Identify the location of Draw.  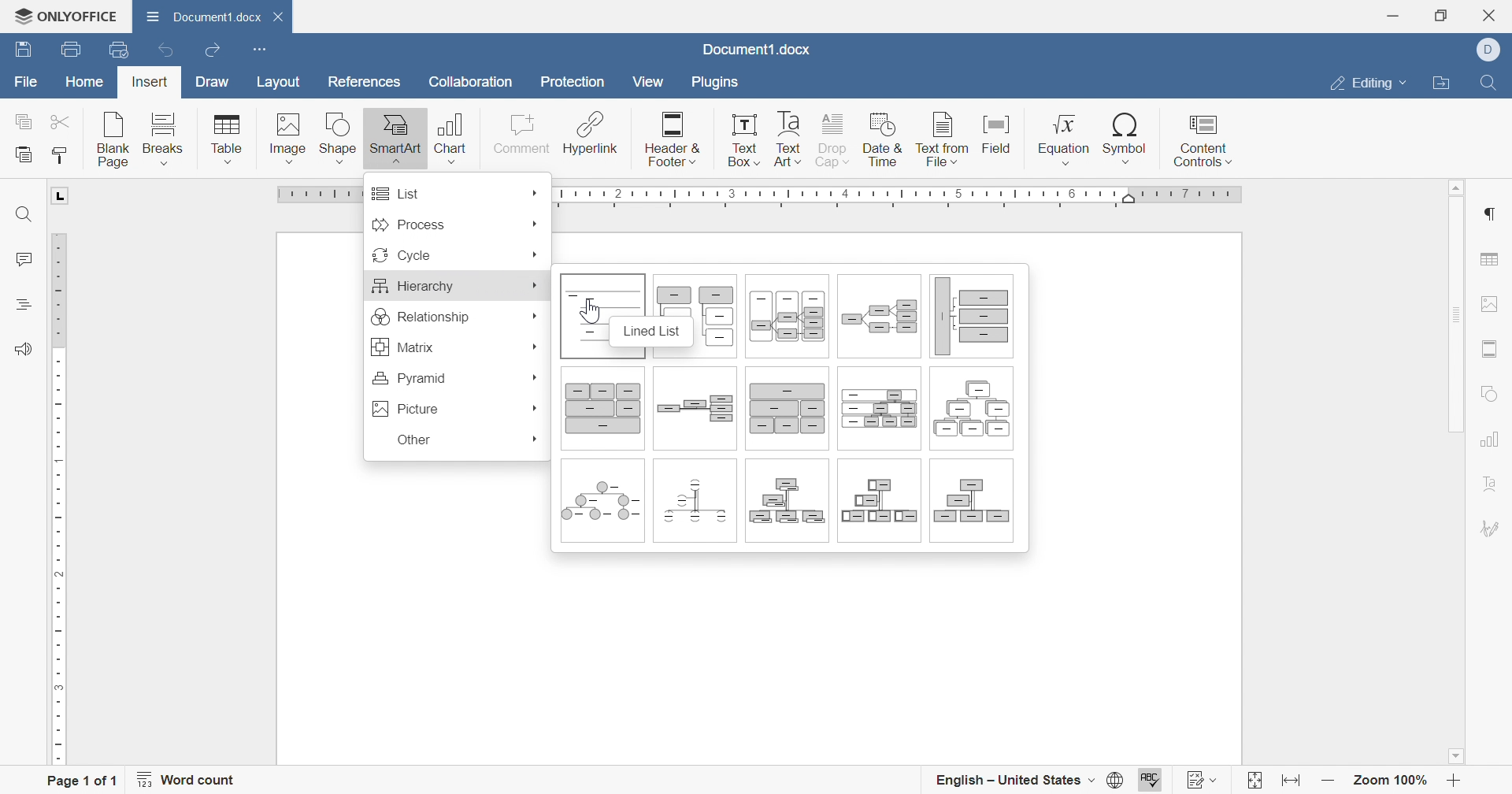
(210, 82).